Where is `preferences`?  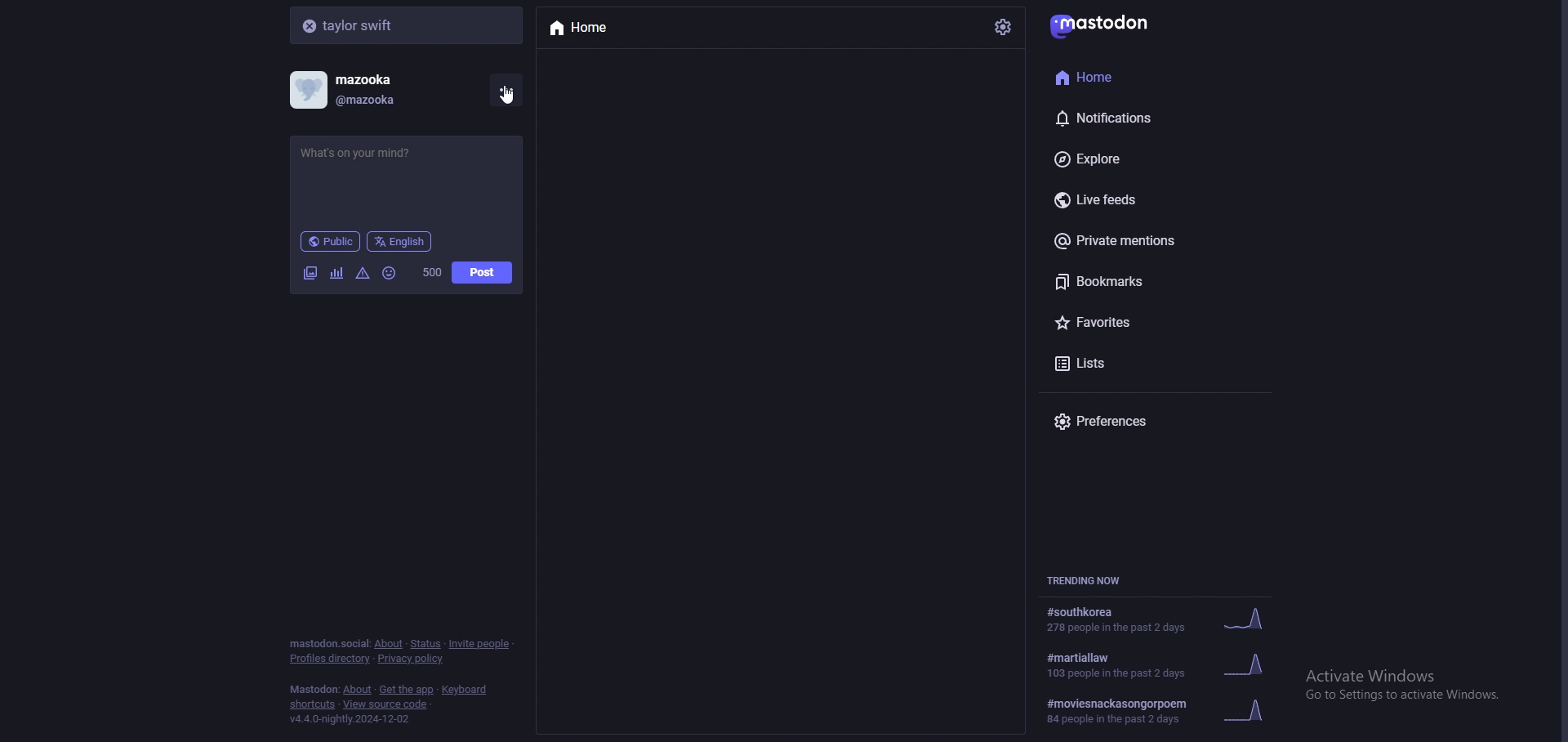 preferences is located at coordinates (1134, 422).